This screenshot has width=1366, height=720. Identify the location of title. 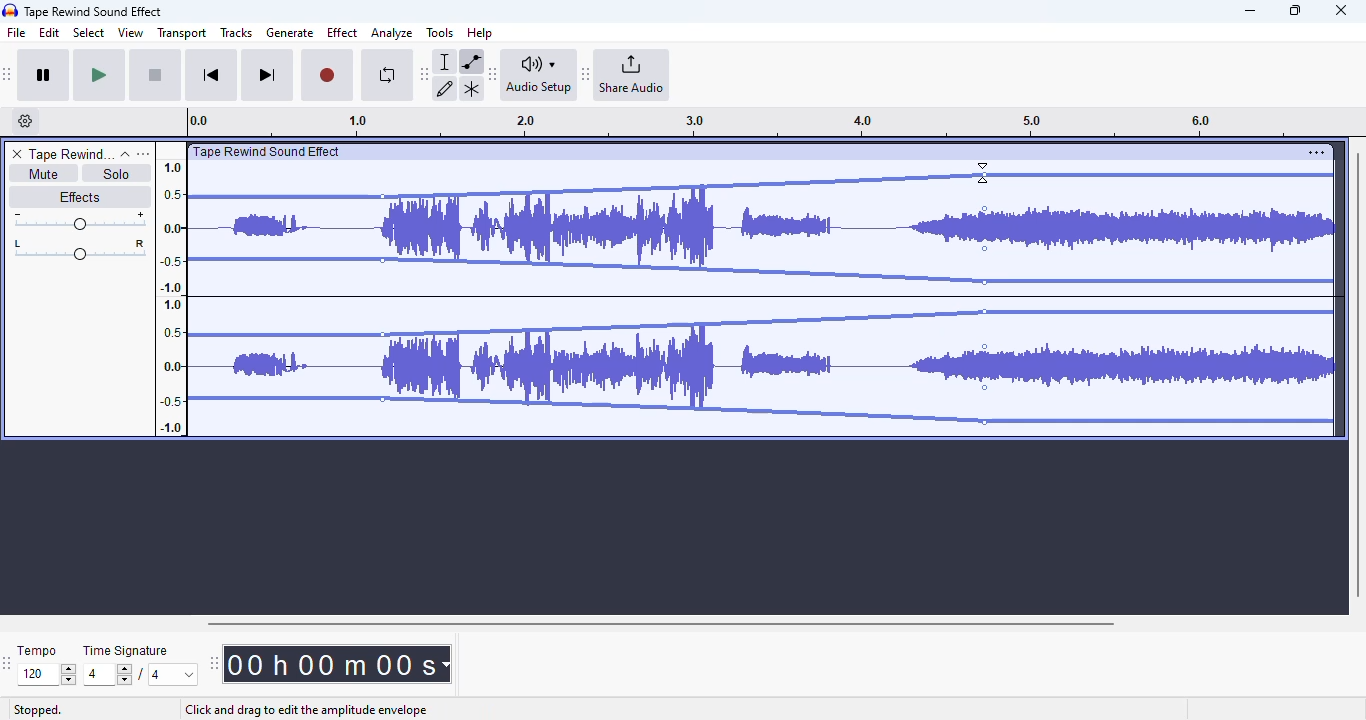
(94, 11).